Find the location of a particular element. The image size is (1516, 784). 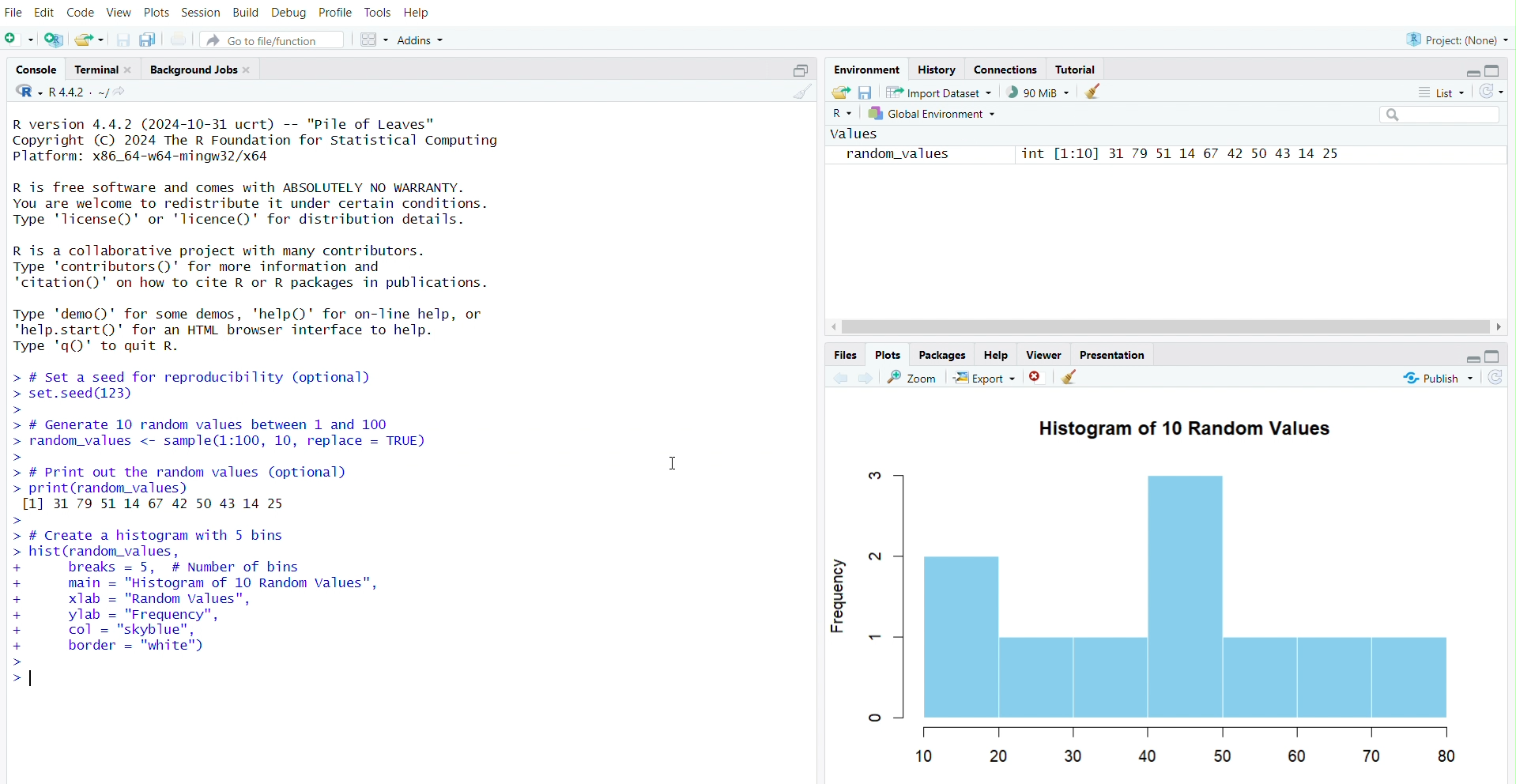

scrollbar is located at coordinates (1165, 326).